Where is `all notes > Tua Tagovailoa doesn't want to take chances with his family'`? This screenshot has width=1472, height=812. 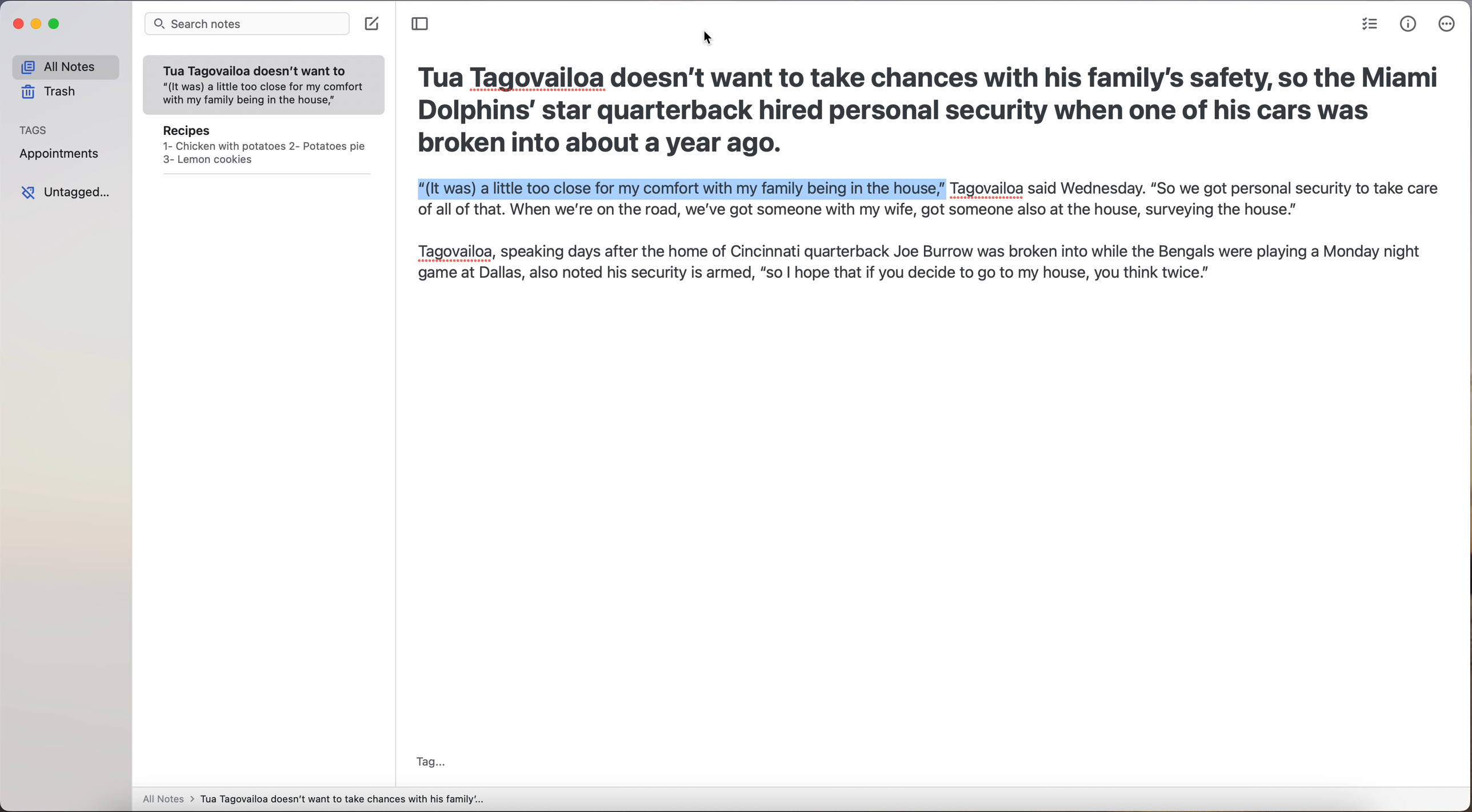 all notes > Tua Tagovailoa doesn't want to take chances with his family' is located at coordinates (314, 801).